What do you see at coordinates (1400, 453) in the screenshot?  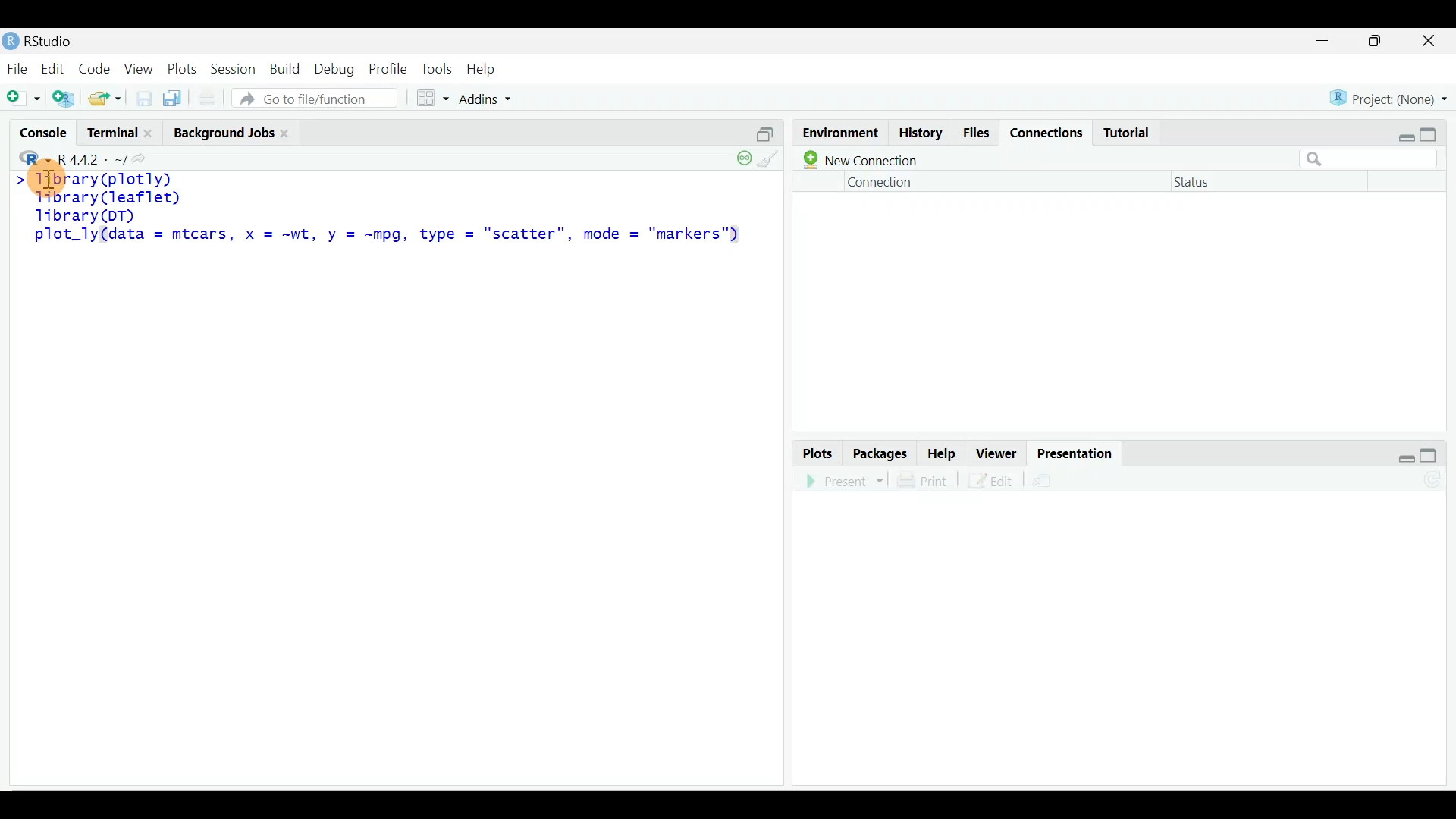 I see `restore down` at bounding box center [1400, 453].